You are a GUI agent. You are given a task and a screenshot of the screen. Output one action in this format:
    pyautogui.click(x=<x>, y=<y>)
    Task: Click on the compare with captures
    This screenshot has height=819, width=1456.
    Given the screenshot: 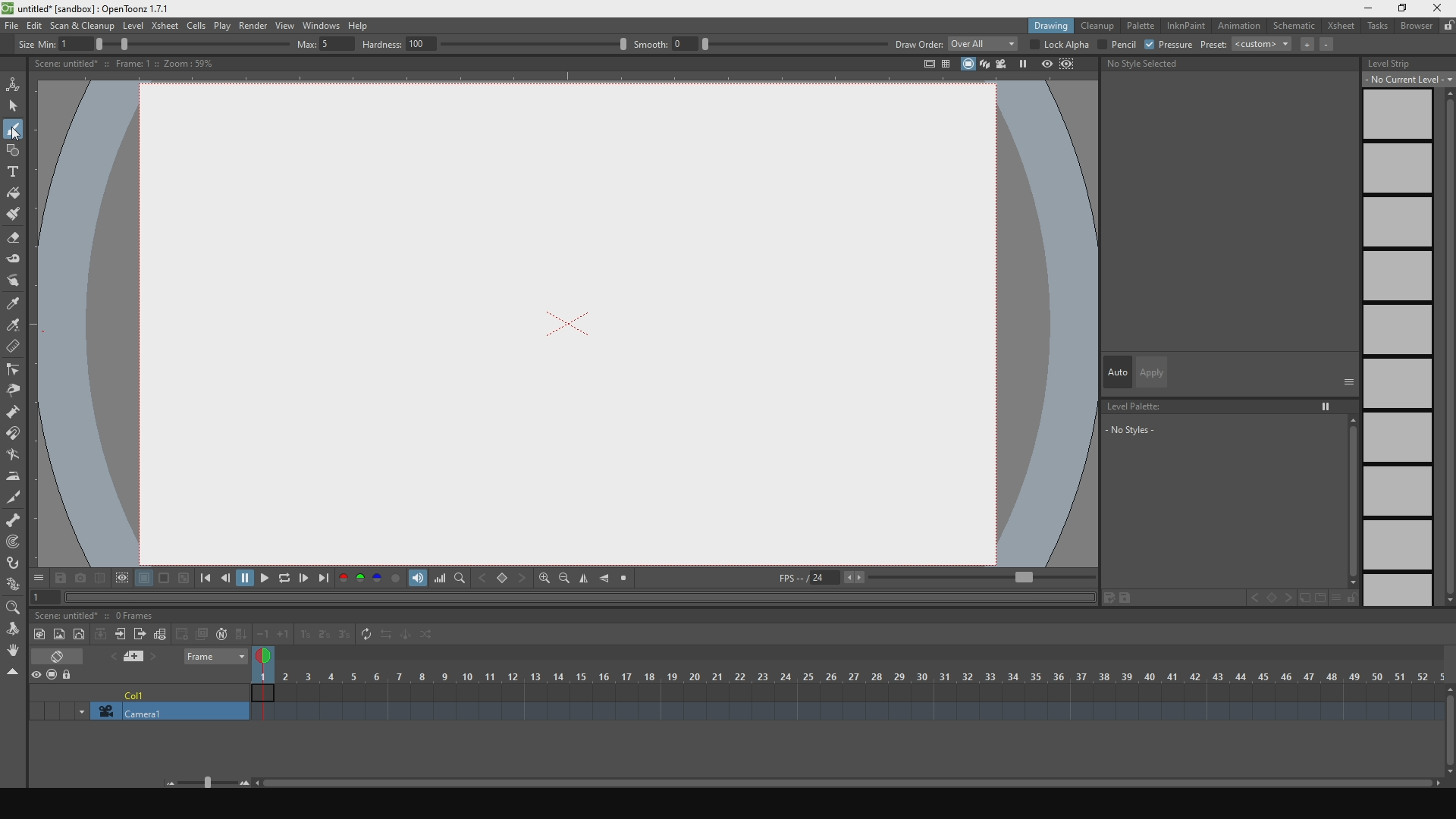 What is the action you would take?
    pyautogui.click(x=100, y=579)
    